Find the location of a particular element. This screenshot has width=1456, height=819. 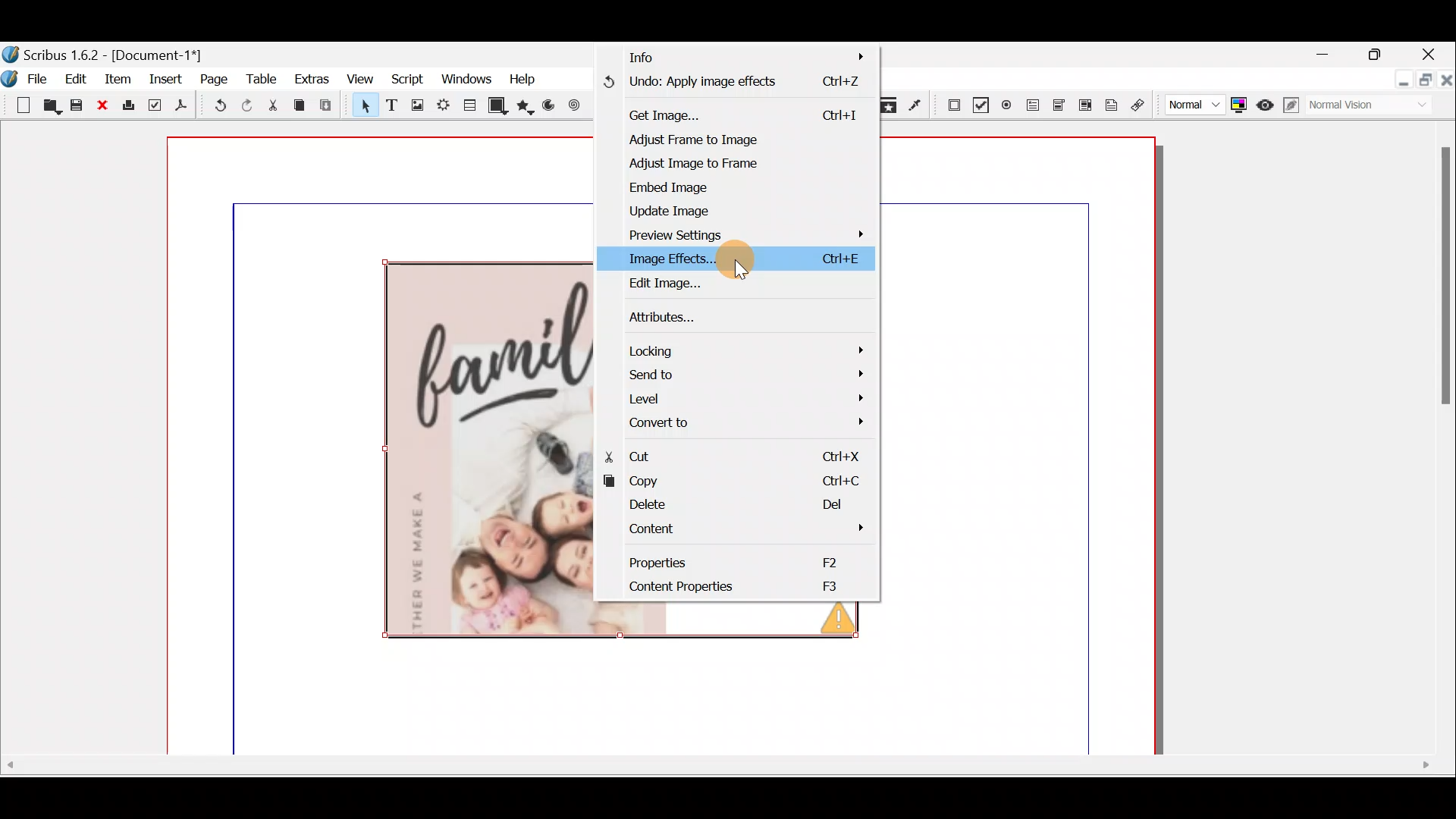

Copy is located at coordinates (748, 482).